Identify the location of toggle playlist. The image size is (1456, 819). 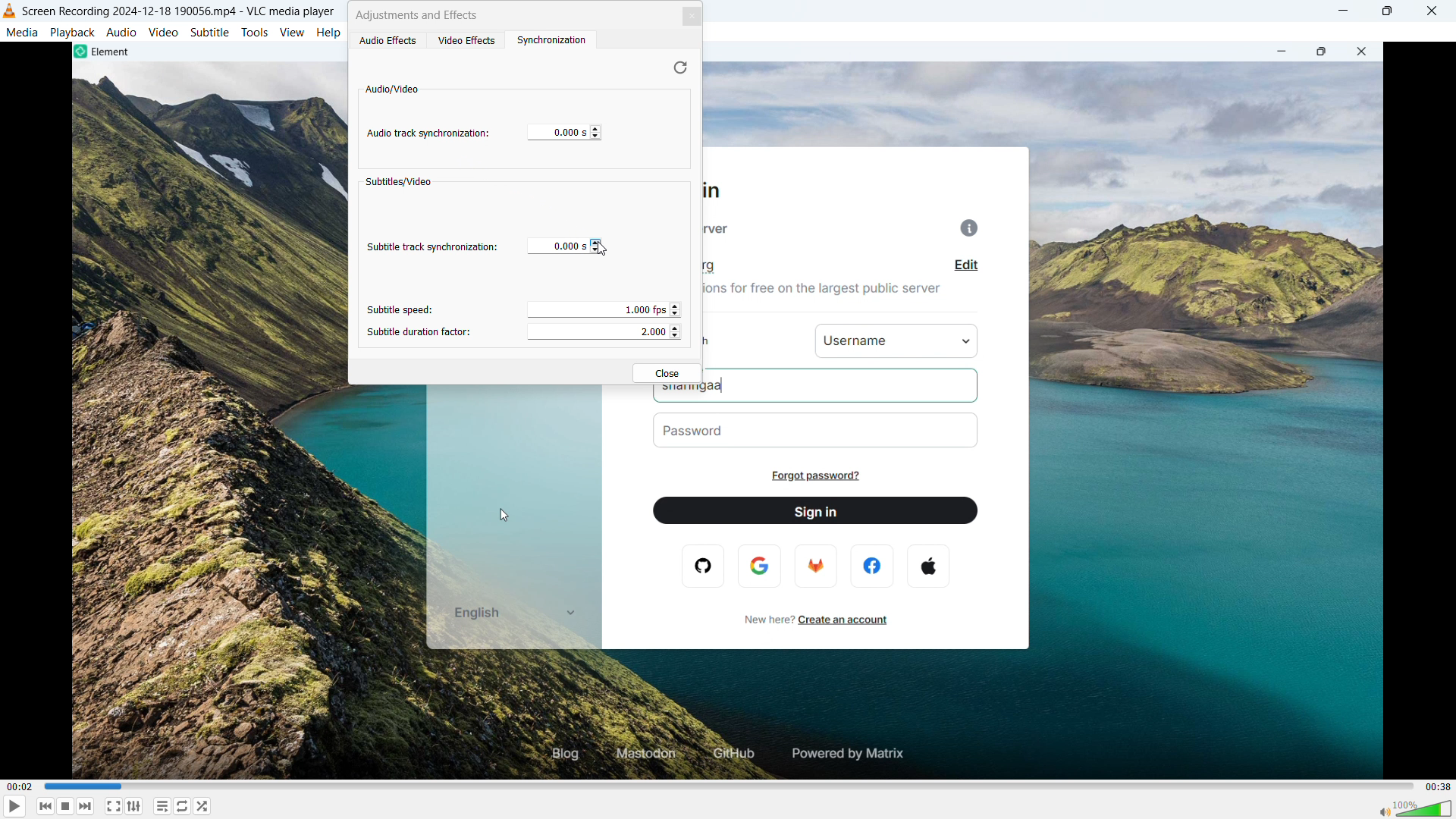
(162, 807).